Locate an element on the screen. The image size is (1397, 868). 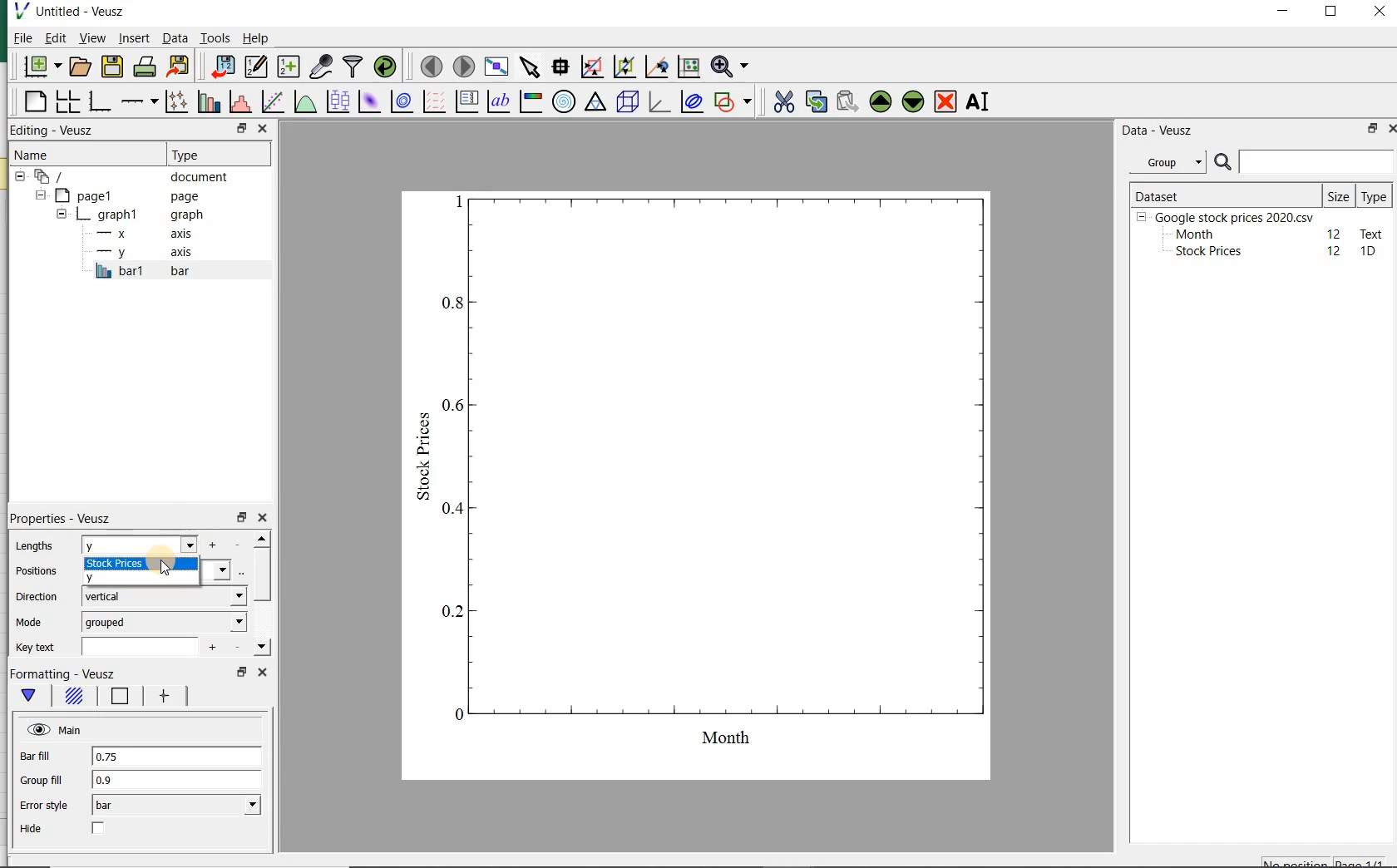
add a shape to the plot is located at coordinates (733, 102).